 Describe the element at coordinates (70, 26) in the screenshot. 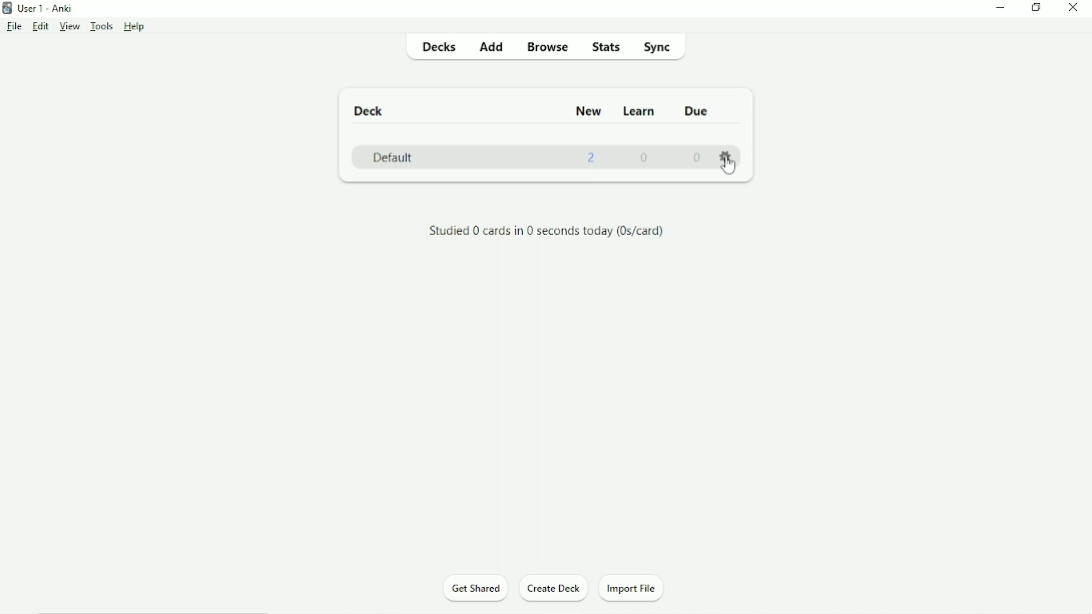

I see `View` at that location.